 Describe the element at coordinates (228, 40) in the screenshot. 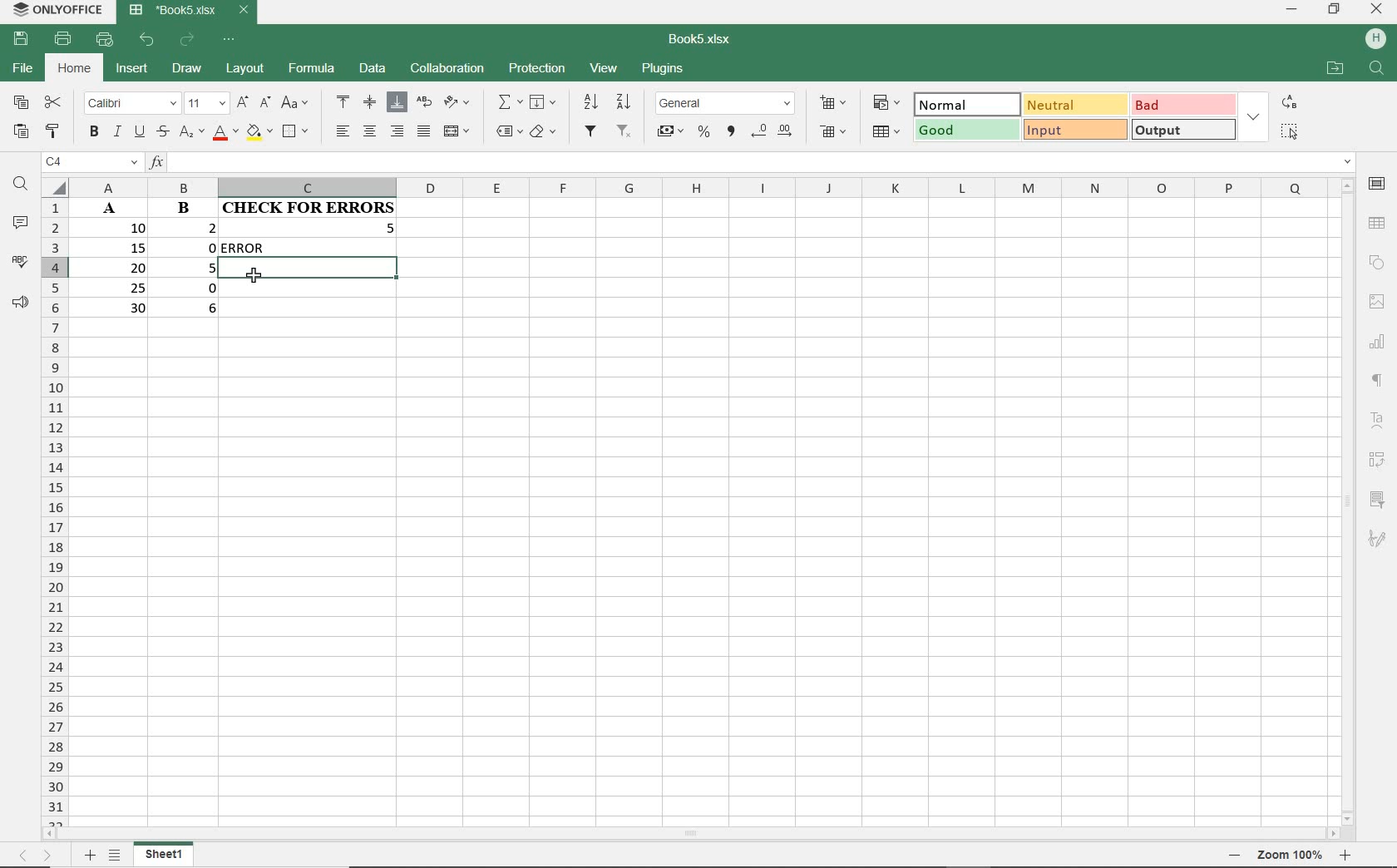

I see `CUSTOMIZE QUICK ACCESS TOOLBAR` at that location.